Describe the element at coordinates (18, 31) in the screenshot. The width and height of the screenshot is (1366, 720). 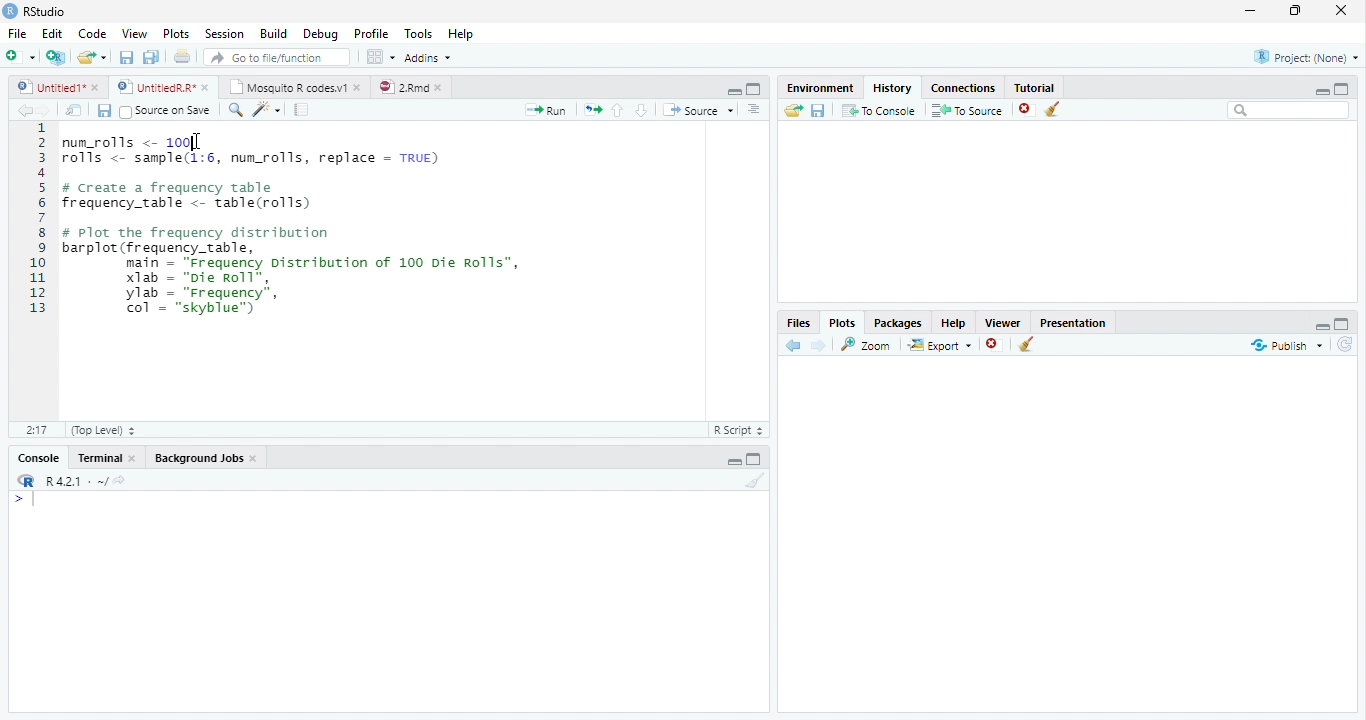
I see `File` at that location.